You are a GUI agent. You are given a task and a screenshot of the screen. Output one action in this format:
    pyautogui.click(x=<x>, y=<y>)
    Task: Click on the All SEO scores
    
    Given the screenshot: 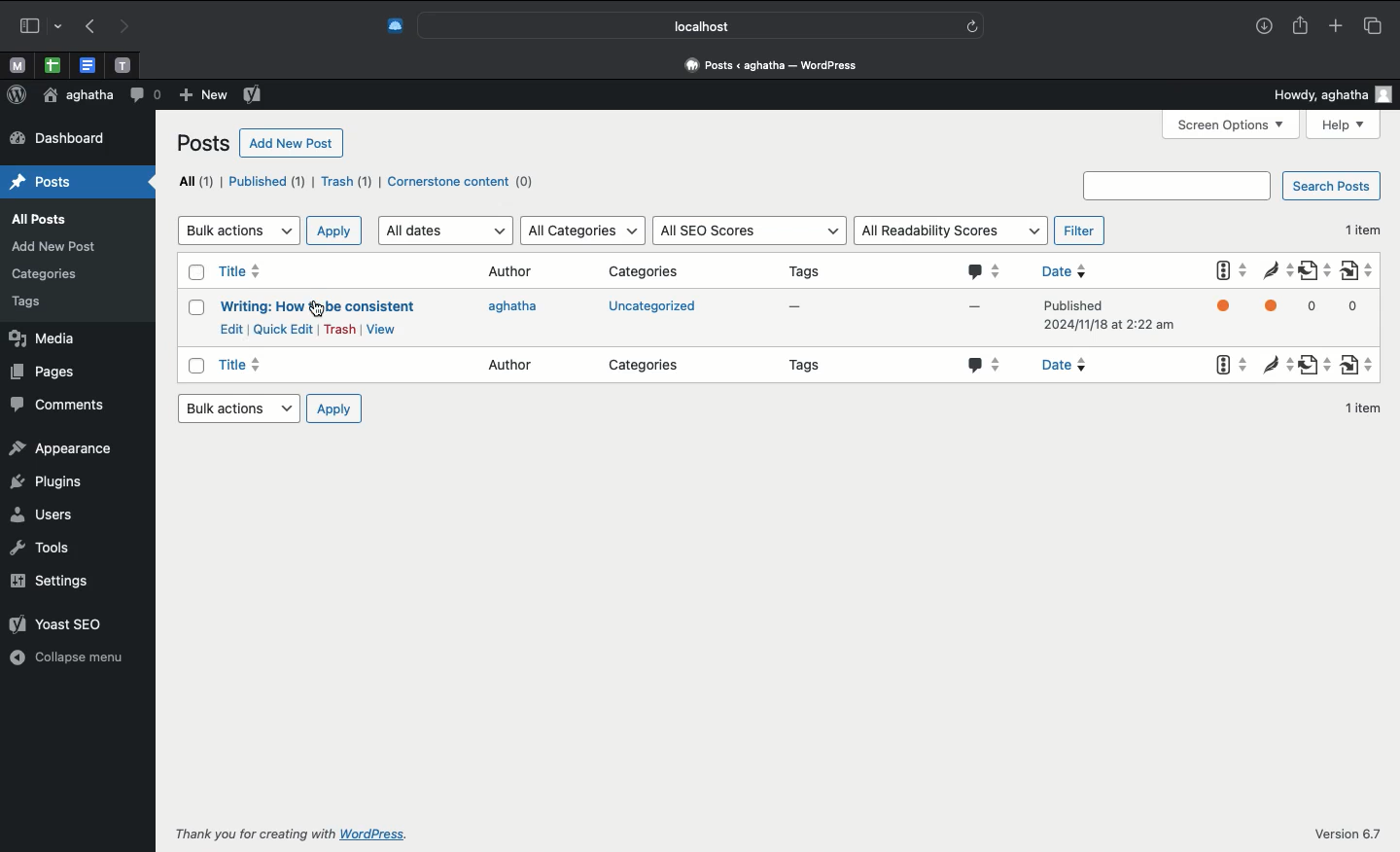 What is the action you would take?
    pyautogui.click(x=747, y=231)
    